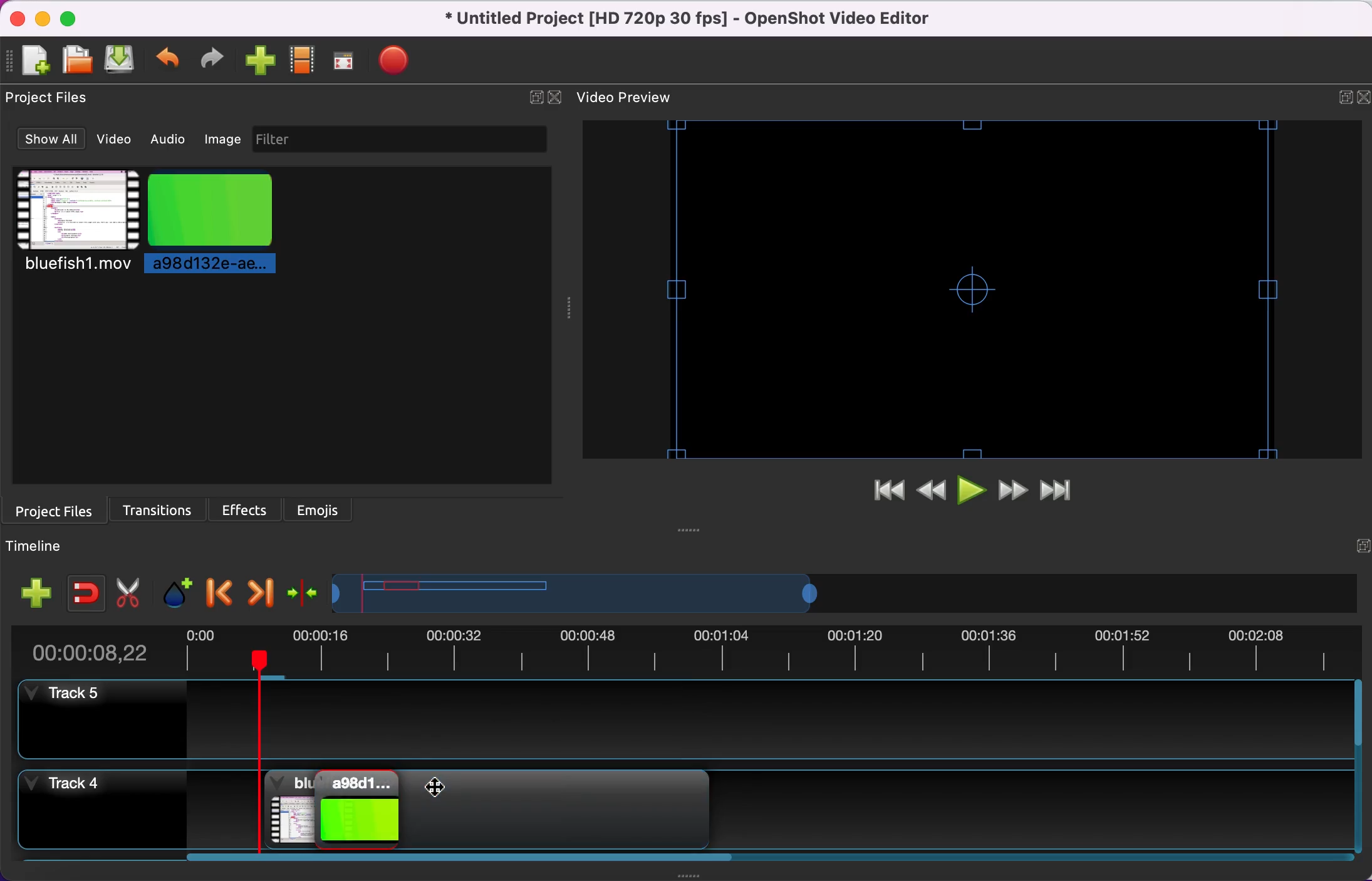  I want to click on jump to end, so click(1069, 491).